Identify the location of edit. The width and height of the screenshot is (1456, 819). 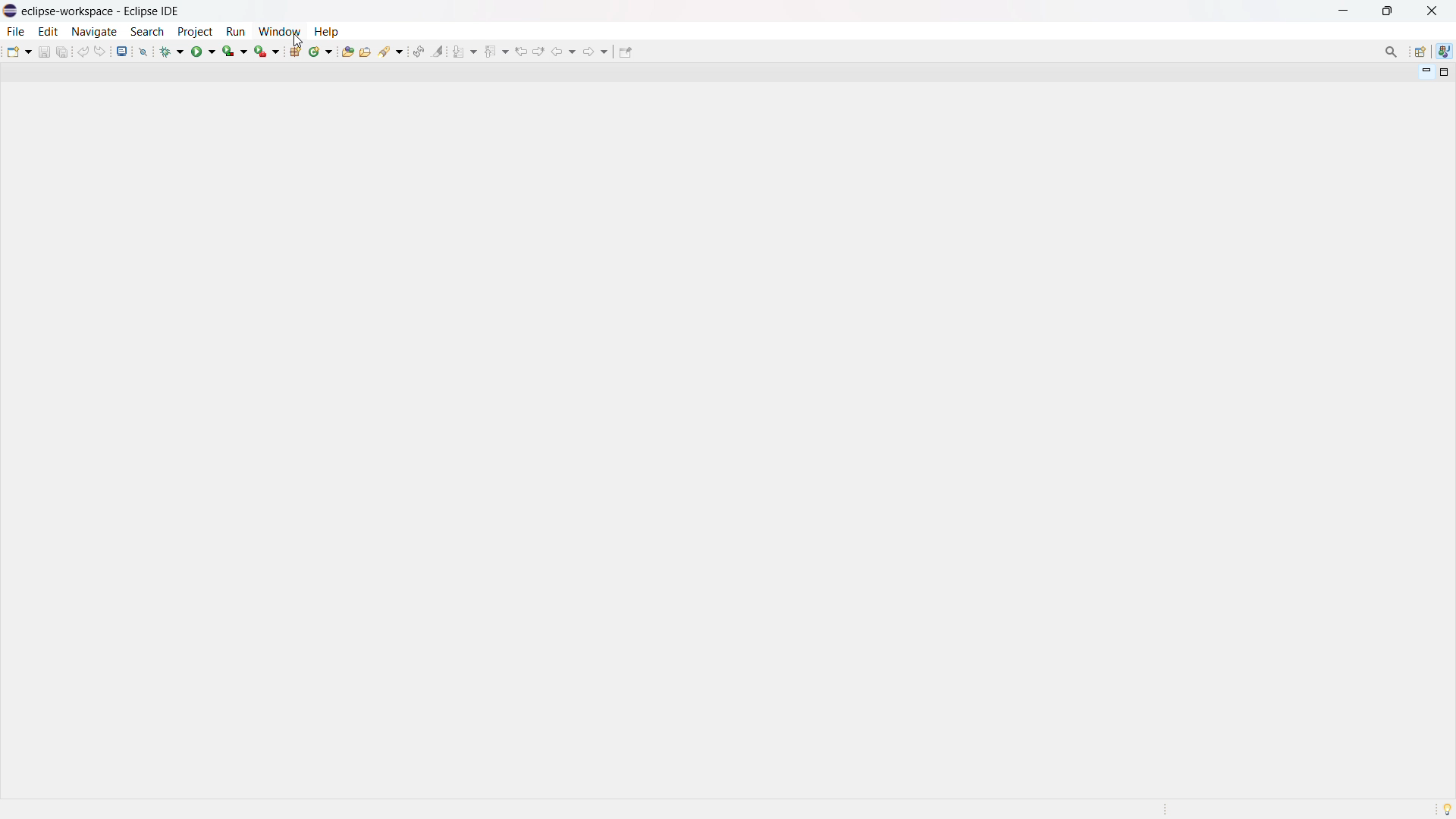
(47, 32).